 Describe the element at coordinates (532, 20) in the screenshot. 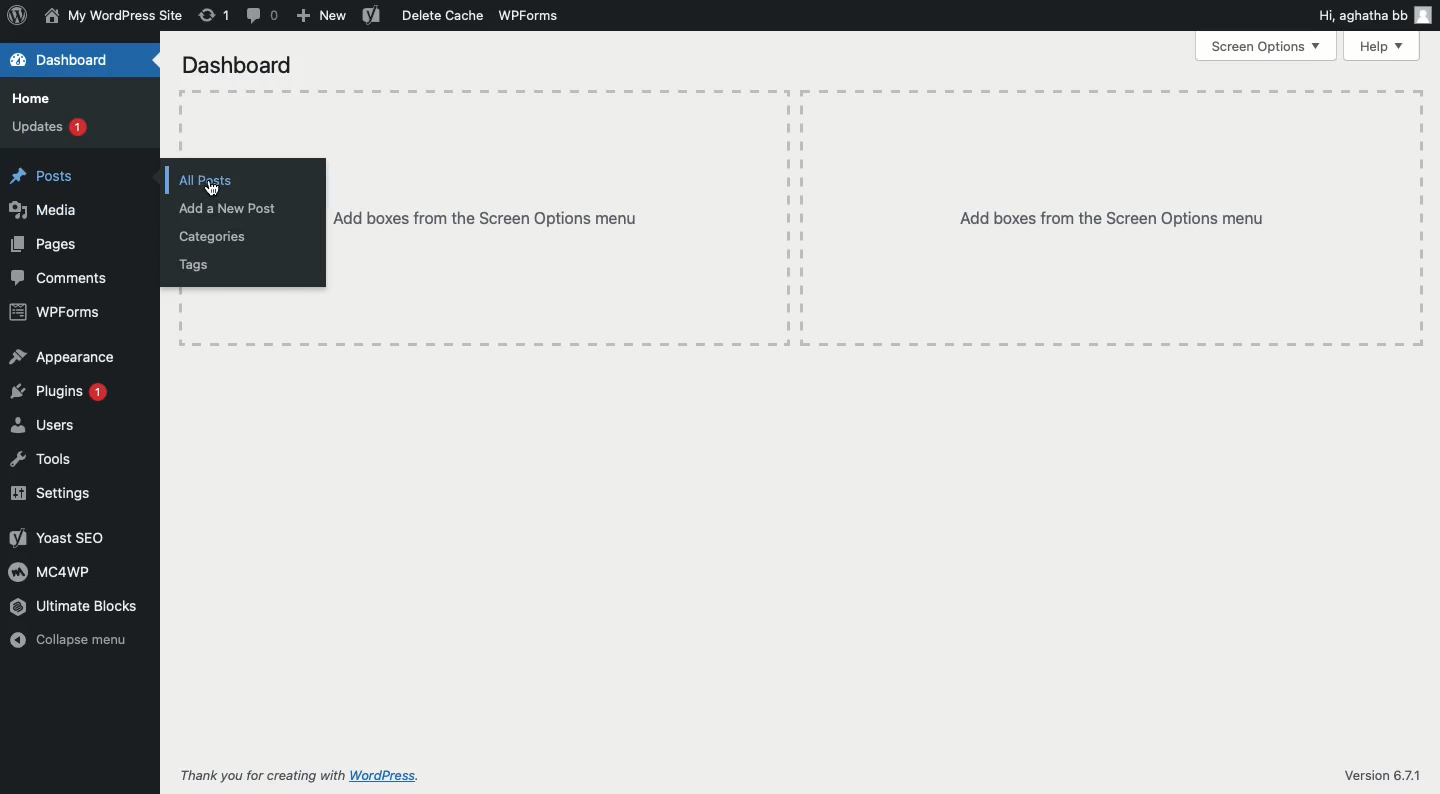

I see `WPForms` at that location.